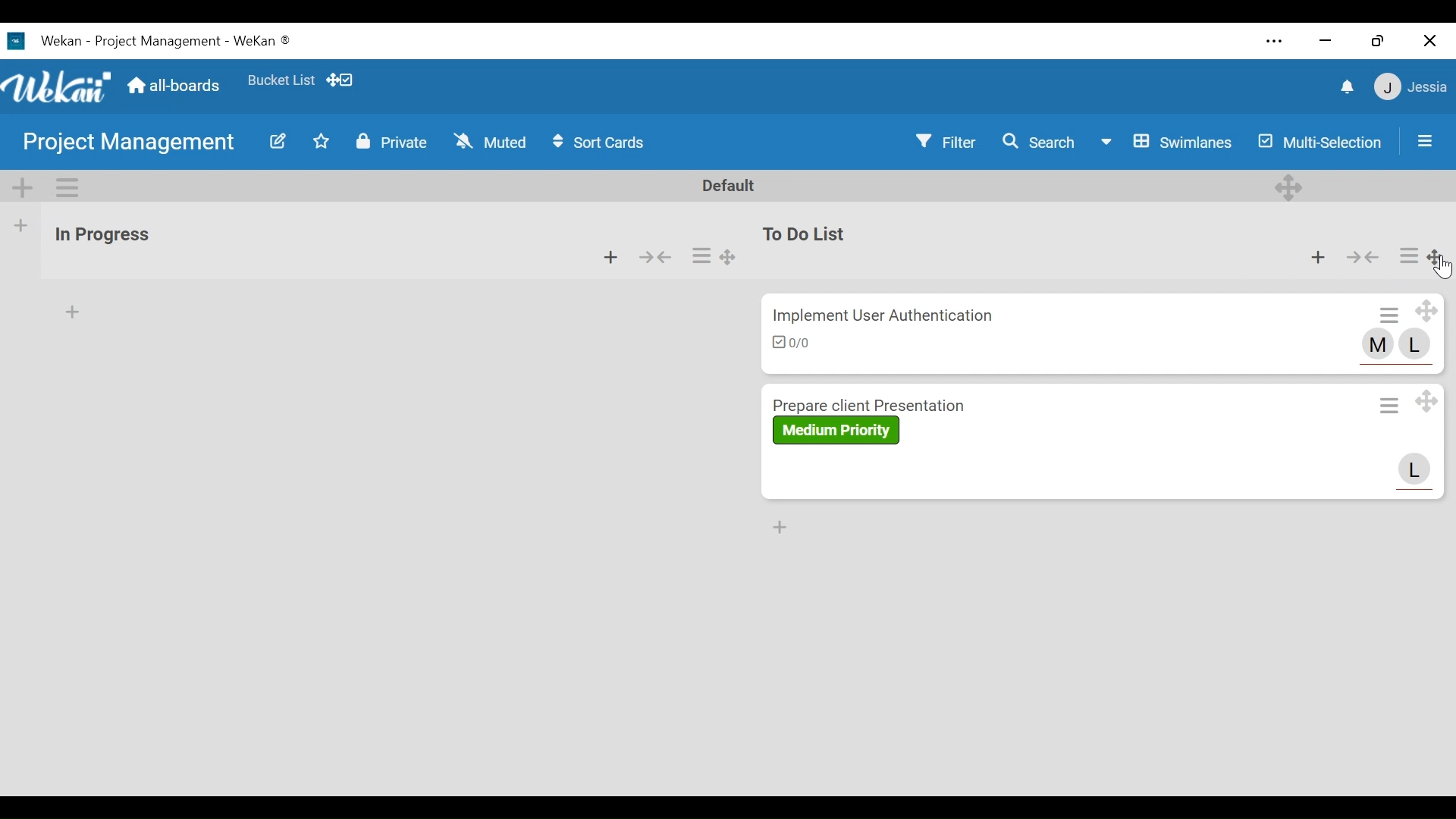  Describe the element at coordinates (968, 336) in the screenshot. I see `Crad` at that location.